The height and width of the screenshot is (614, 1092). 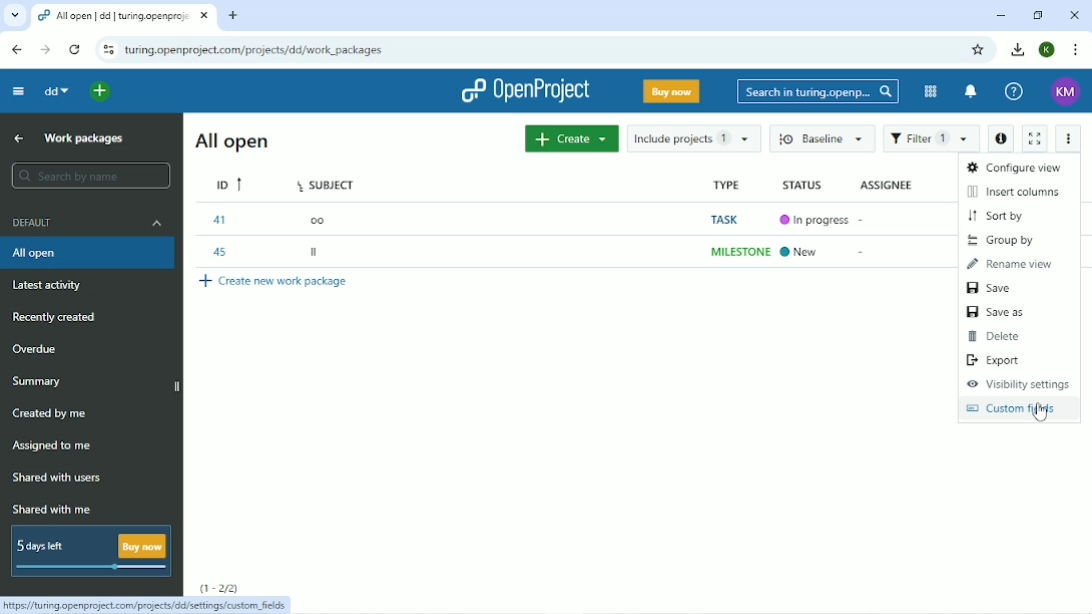 What do you see at coordinates (673, 91) in the screenshot?
I see `Buy now` at bounding box center [673, 91].